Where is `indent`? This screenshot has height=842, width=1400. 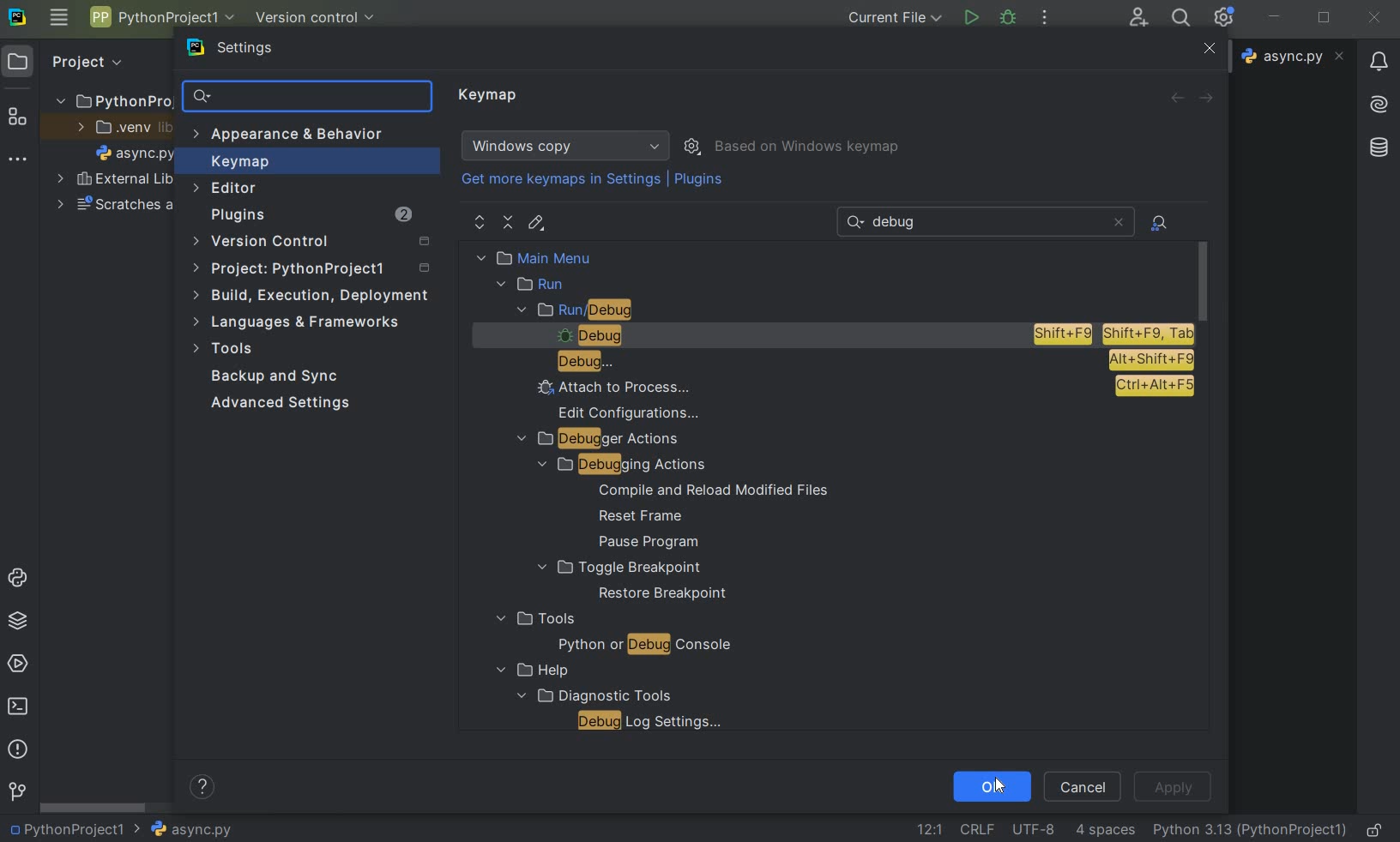
indent is located at coordinates (1105, 830).